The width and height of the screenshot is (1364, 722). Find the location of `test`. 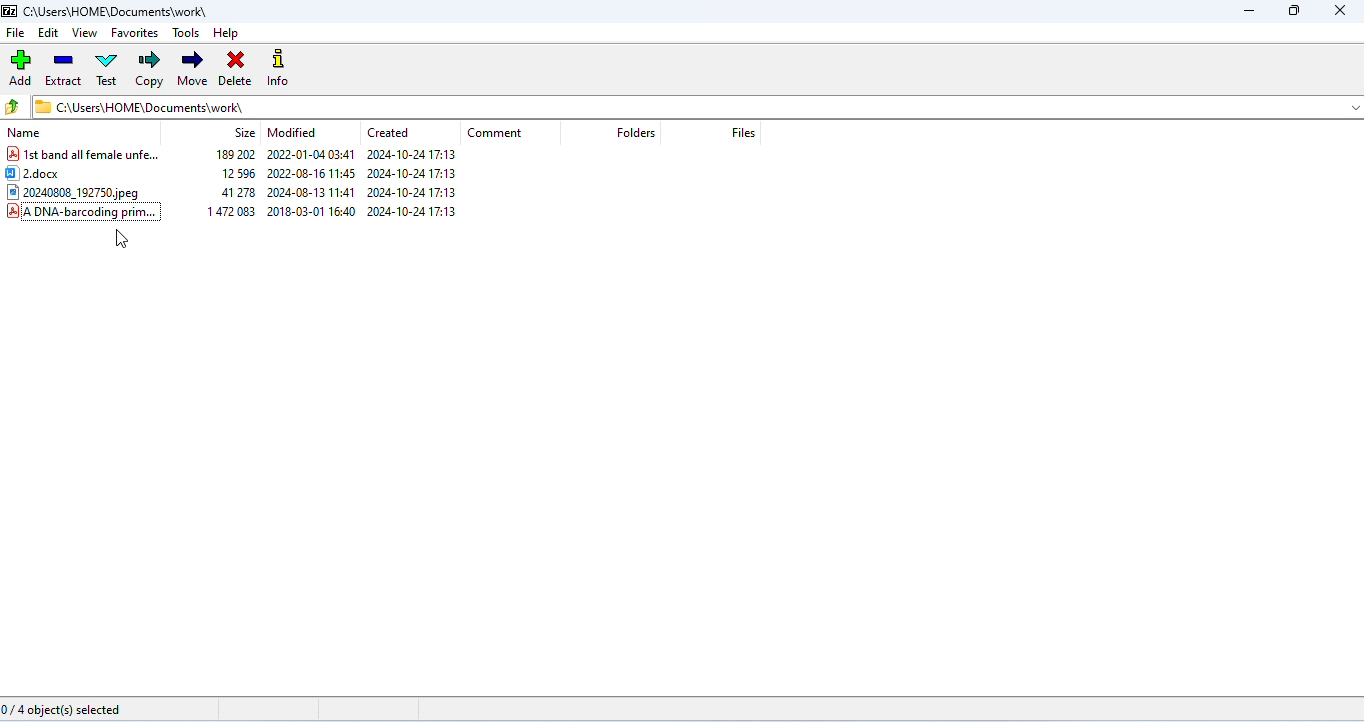

test is located at coordinates (107, 68).